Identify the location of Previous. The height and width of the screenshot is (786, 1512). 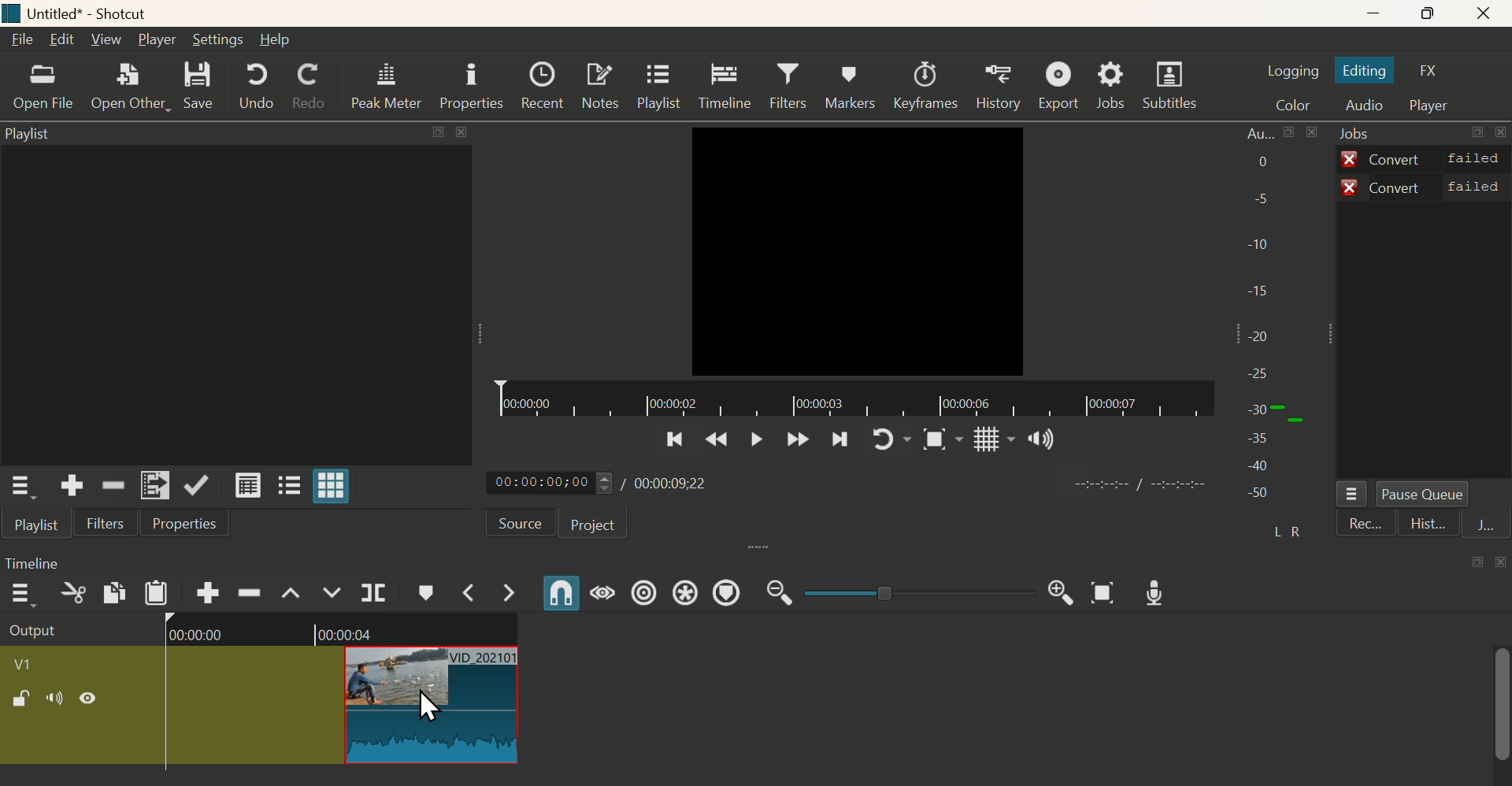
(717, 443).